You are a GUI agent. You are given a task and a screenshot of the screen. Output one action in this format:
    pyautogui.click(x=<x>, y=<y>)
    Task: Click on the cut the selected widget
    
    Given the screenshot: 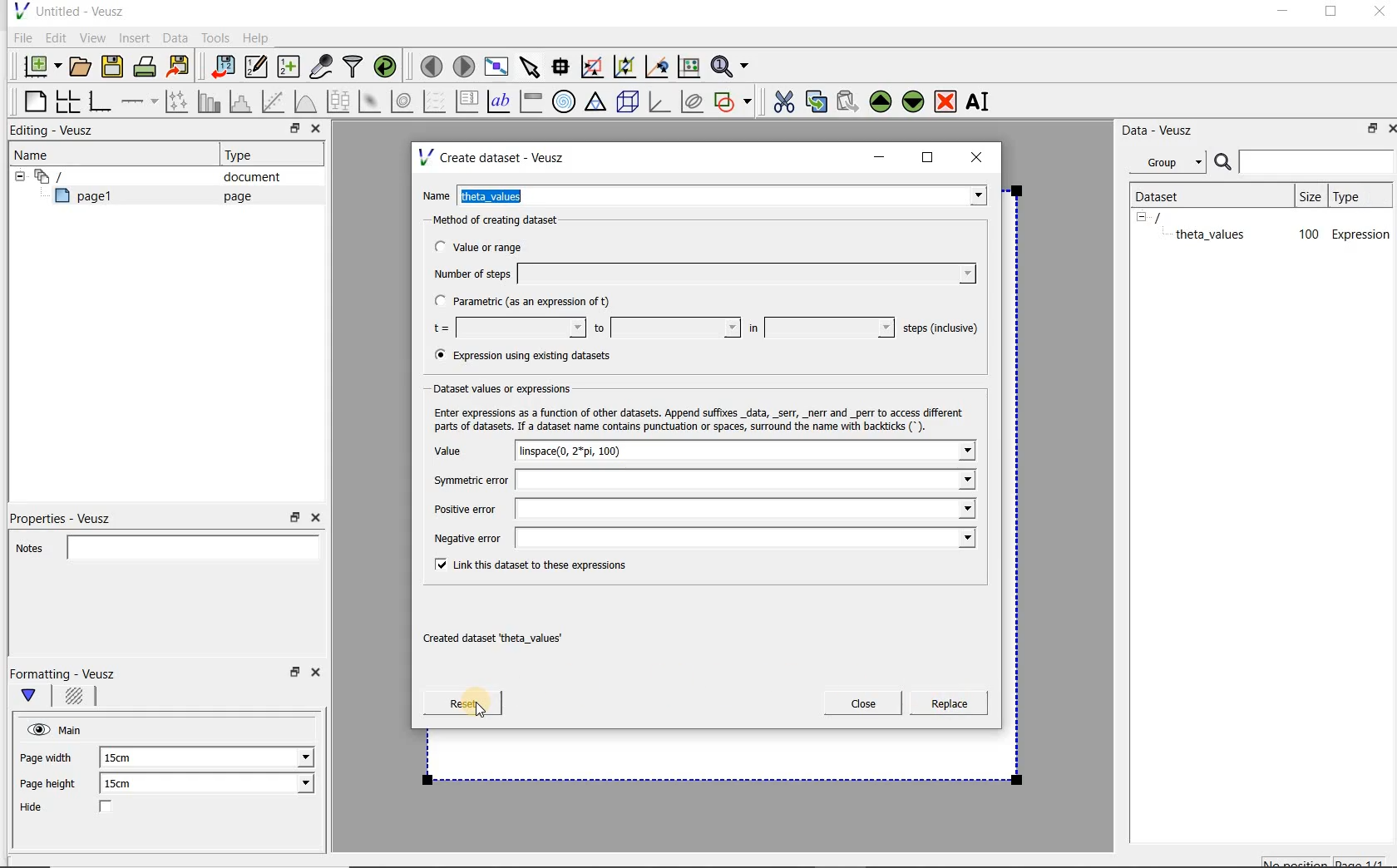 What is the action you would take?
    pyautogui.click(x=781, y=100)
    